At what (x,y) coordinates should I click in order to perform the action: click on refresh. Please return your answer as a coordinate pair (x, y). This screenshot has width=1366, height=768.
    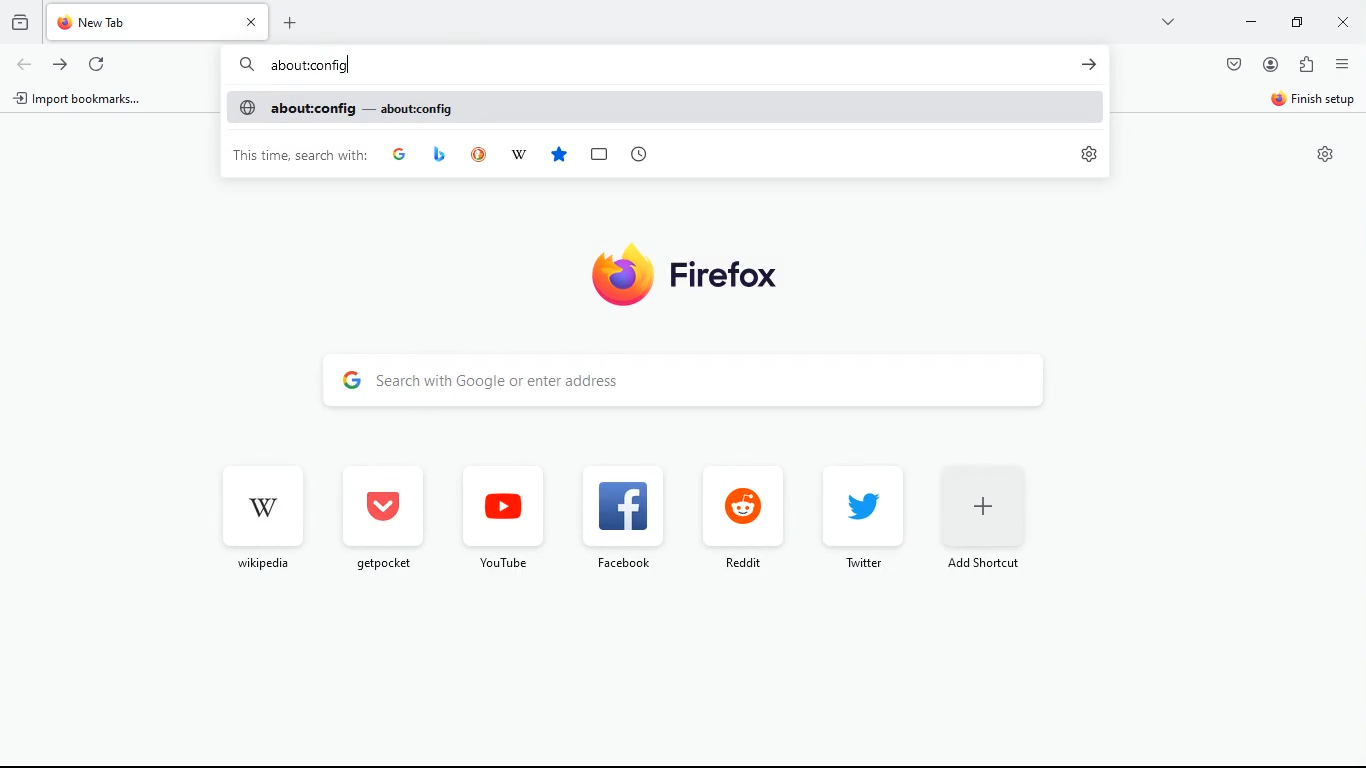
    Looking at the image, I should click on (99, 66).